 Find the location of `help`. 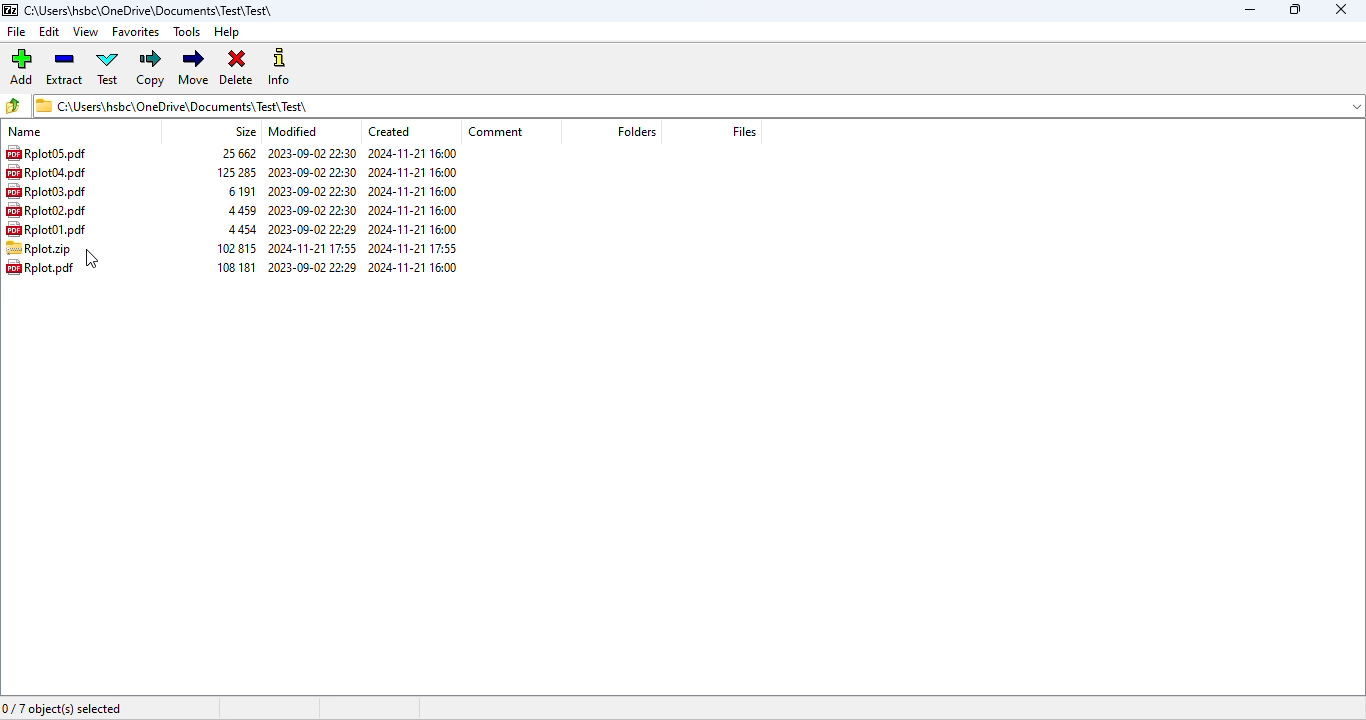

help is located at coordinates (226, 32).